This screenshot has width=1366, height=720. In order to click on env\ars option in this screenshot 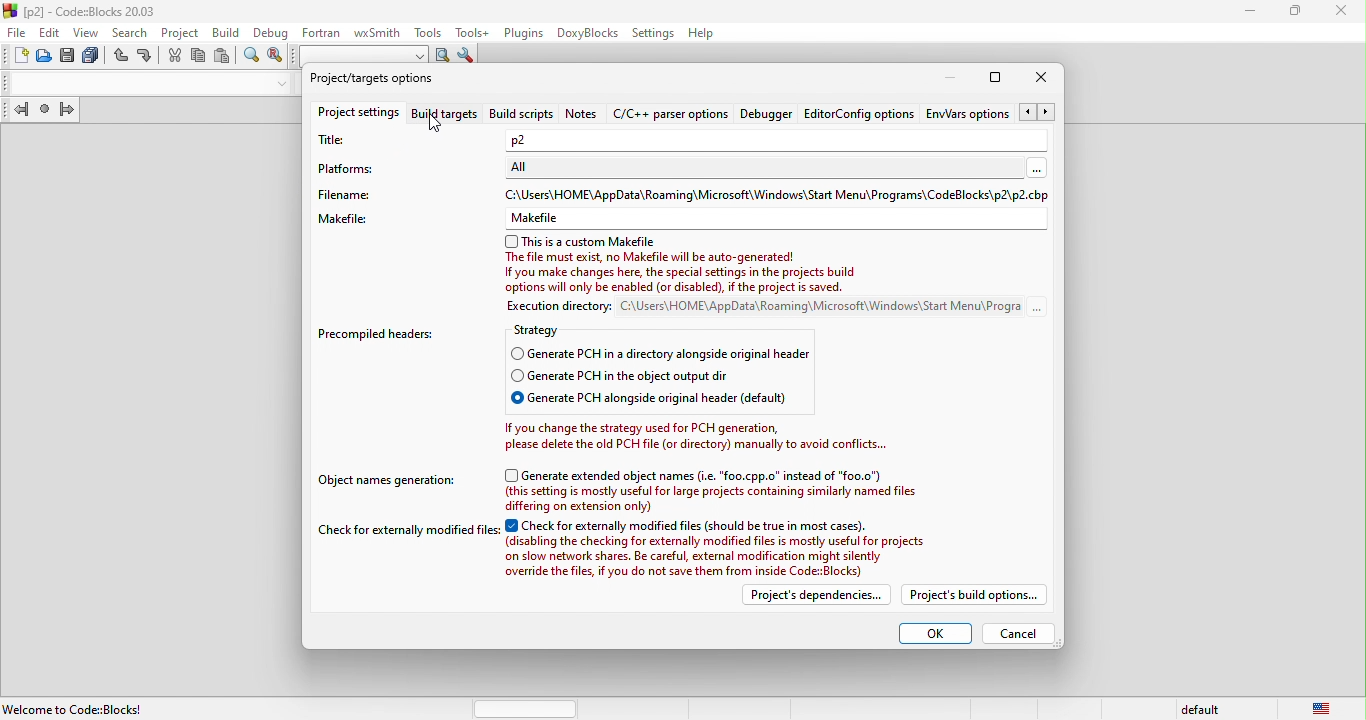, I will do `click(965, 114)`.